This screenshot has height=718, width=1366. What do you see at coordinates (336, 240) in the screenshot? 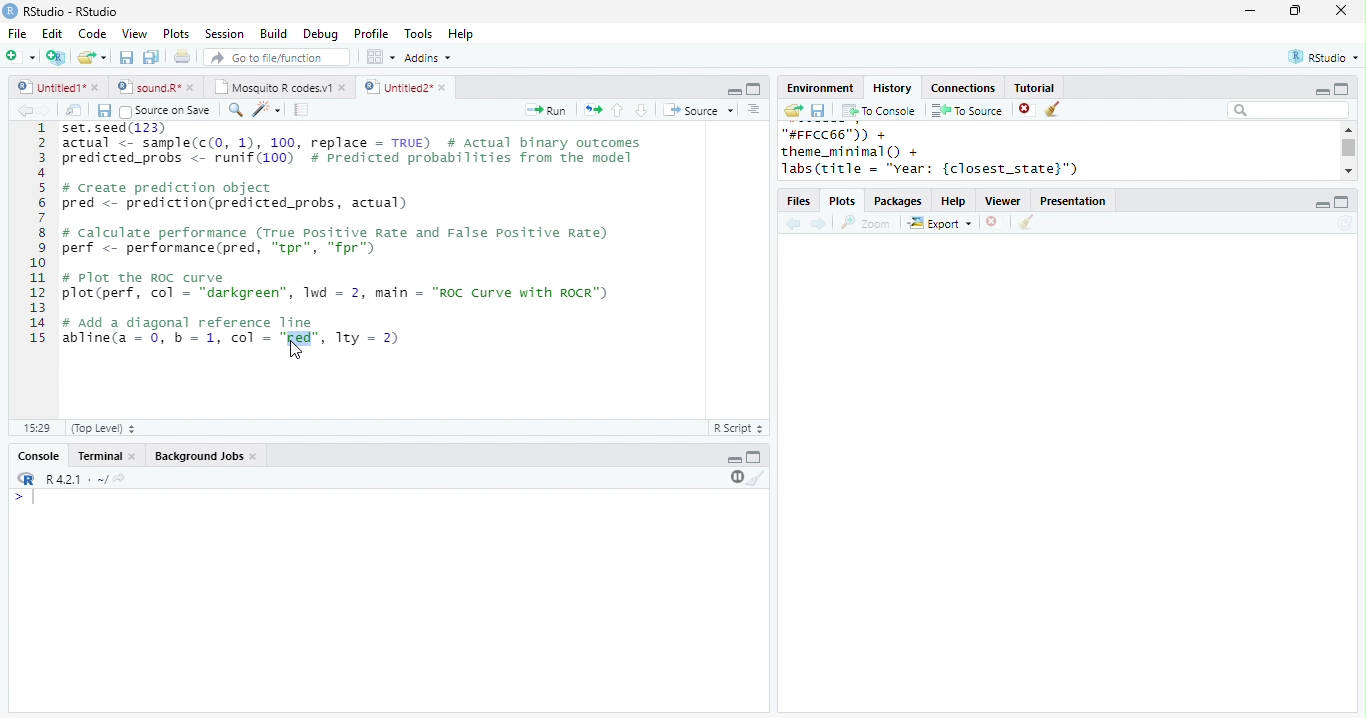
I see `# calculate performance (True Positive Rate and False Positive Rate)
perf <- performance(pred, “tpr", “fpr")` at bounding box center [336, 240].